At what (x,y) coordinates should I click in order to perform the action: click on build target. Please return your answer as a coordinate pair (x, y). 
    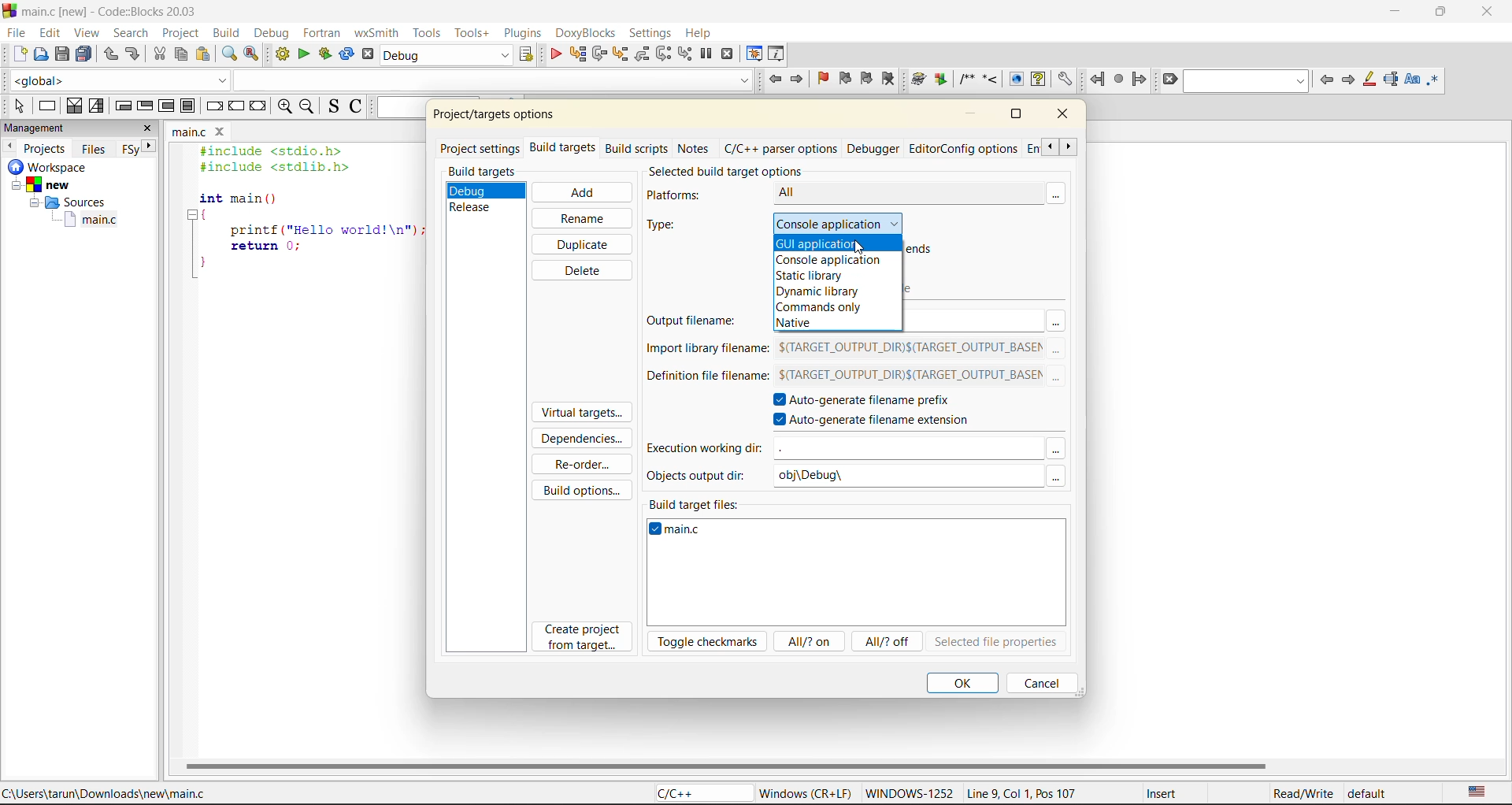
    Looking at the image, I should click on (447, 56).